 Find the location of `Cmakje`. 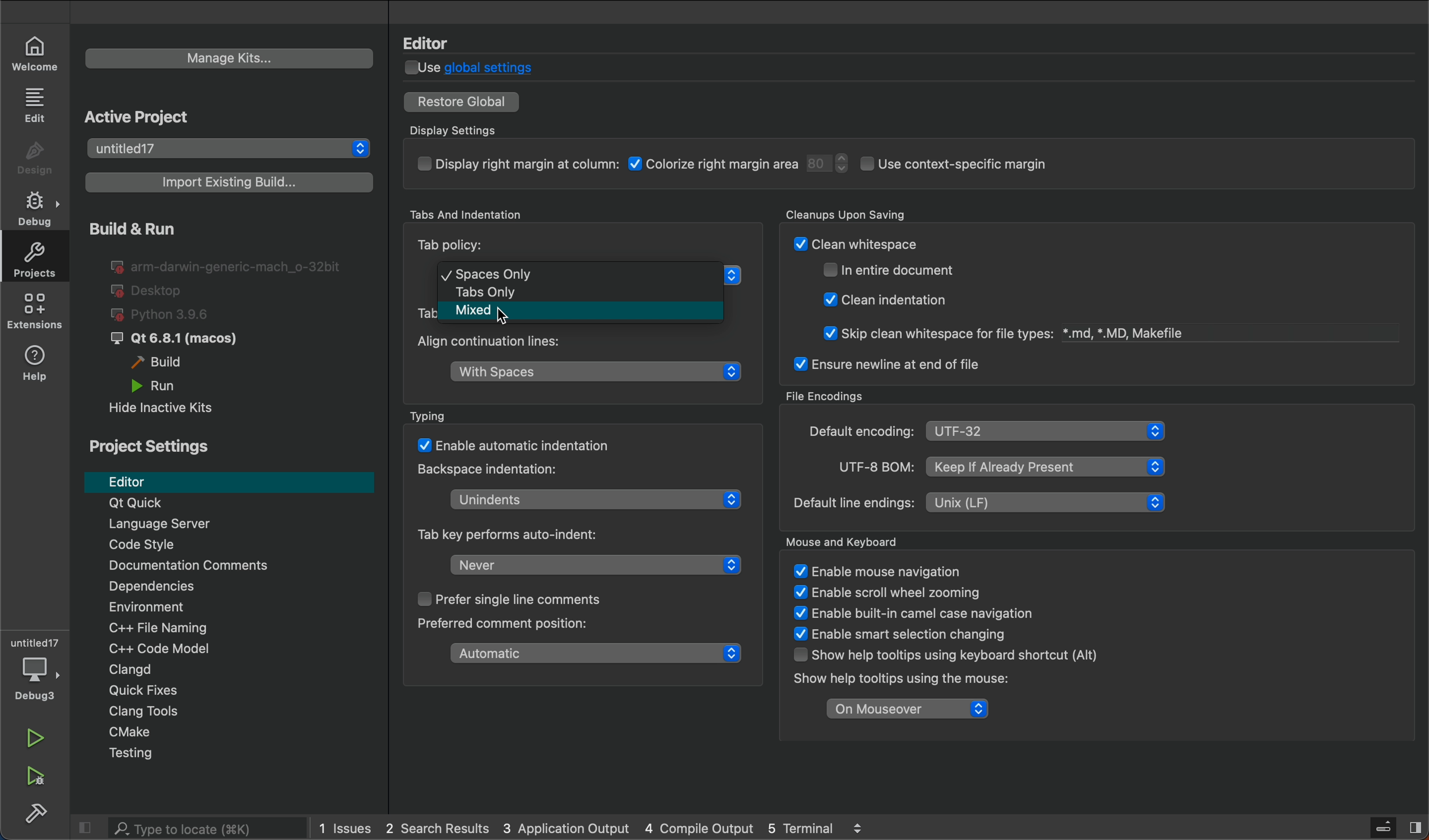

Cmakje is located at coordinates (238, 735).